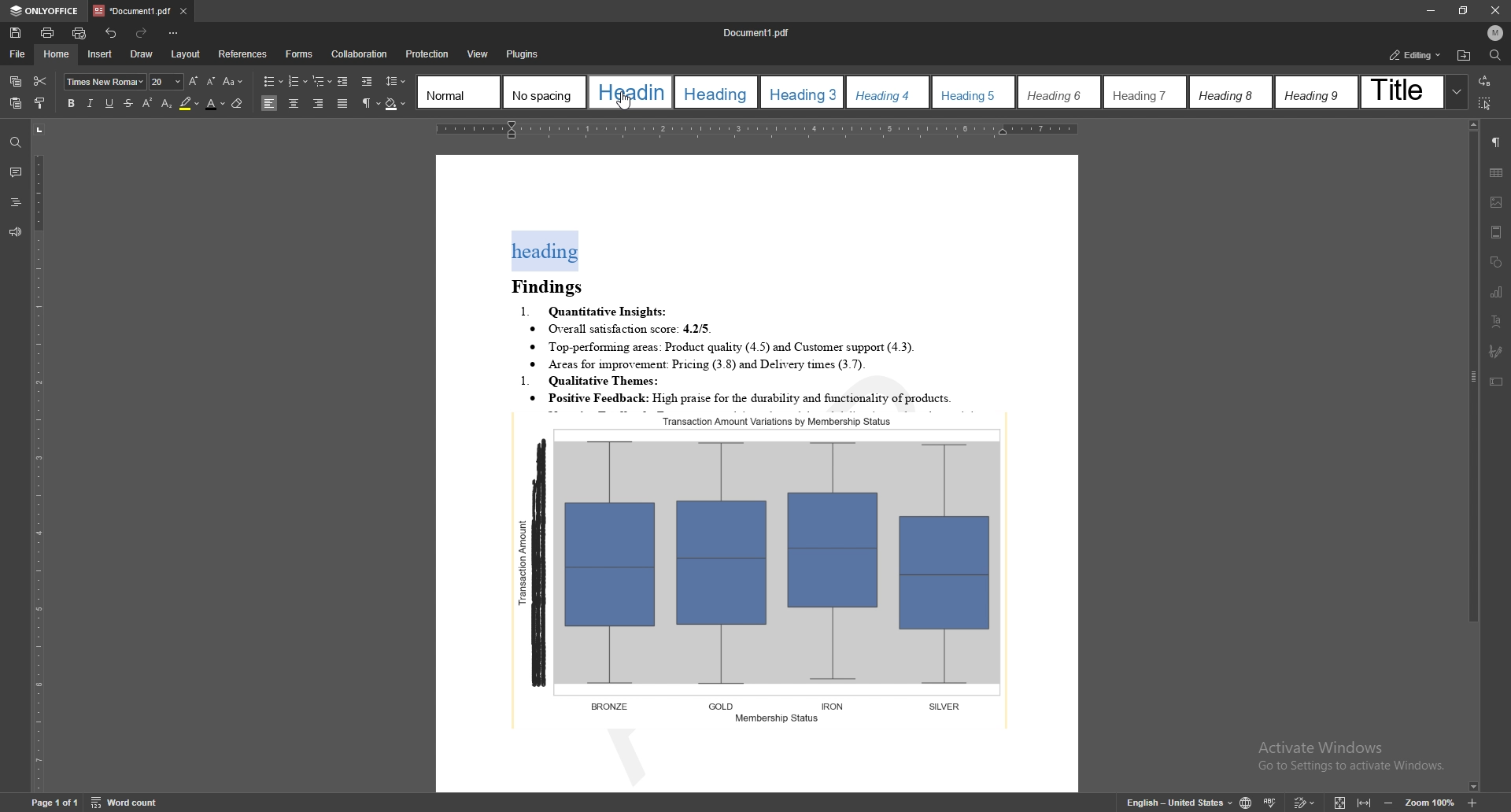  Describe the element at coordinates (1496, 382) in the screenshot. I see `text box` at that location.